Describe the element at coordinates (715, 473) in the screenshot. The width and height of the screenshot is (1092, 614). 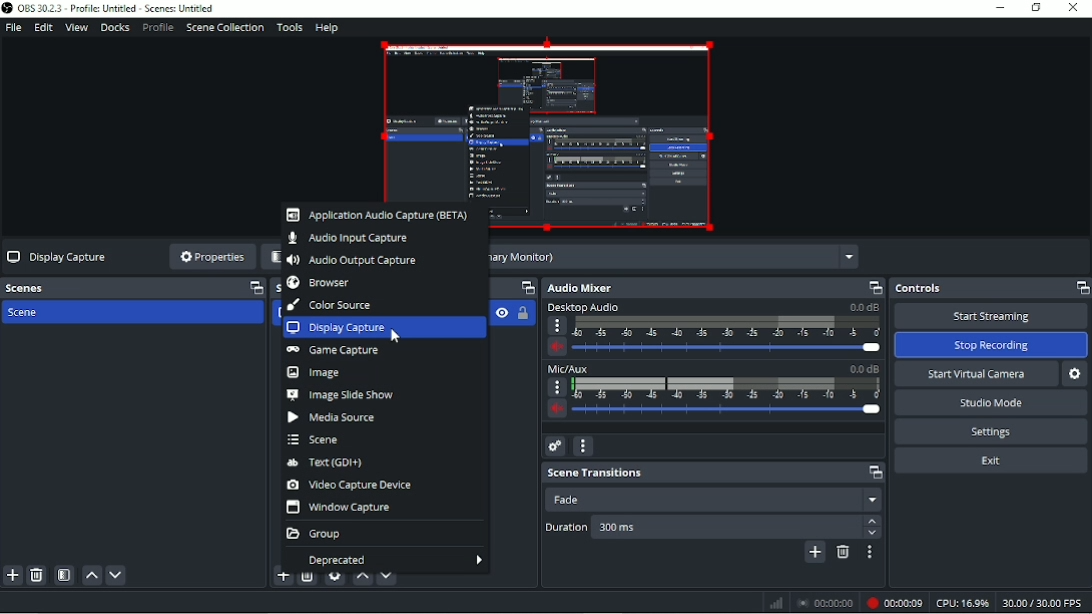
I see `Scene transitions` at that location.